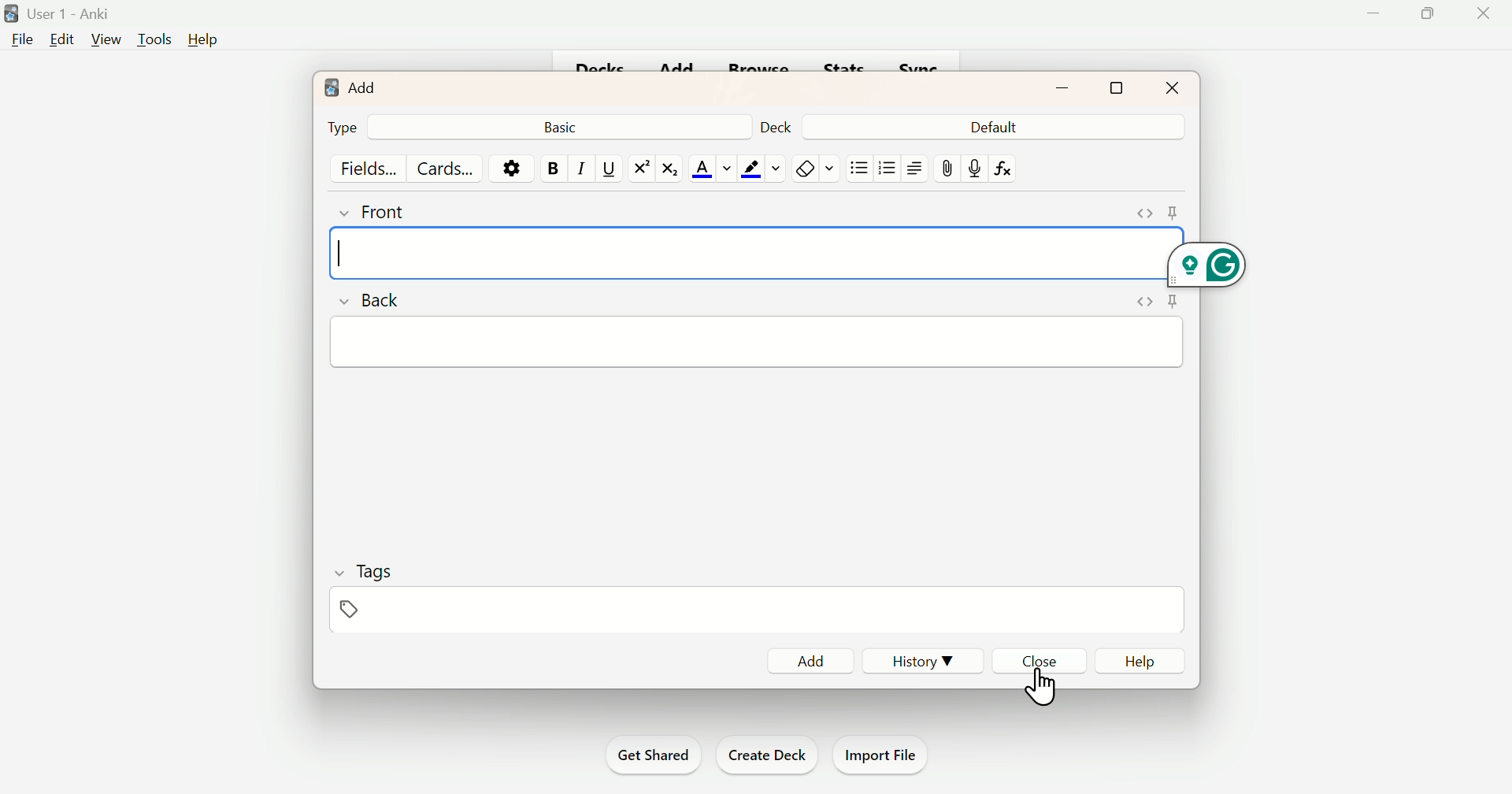  Describe the element at coordinates (651, 752) in the screenshot. I see `Get Shared` at that location.